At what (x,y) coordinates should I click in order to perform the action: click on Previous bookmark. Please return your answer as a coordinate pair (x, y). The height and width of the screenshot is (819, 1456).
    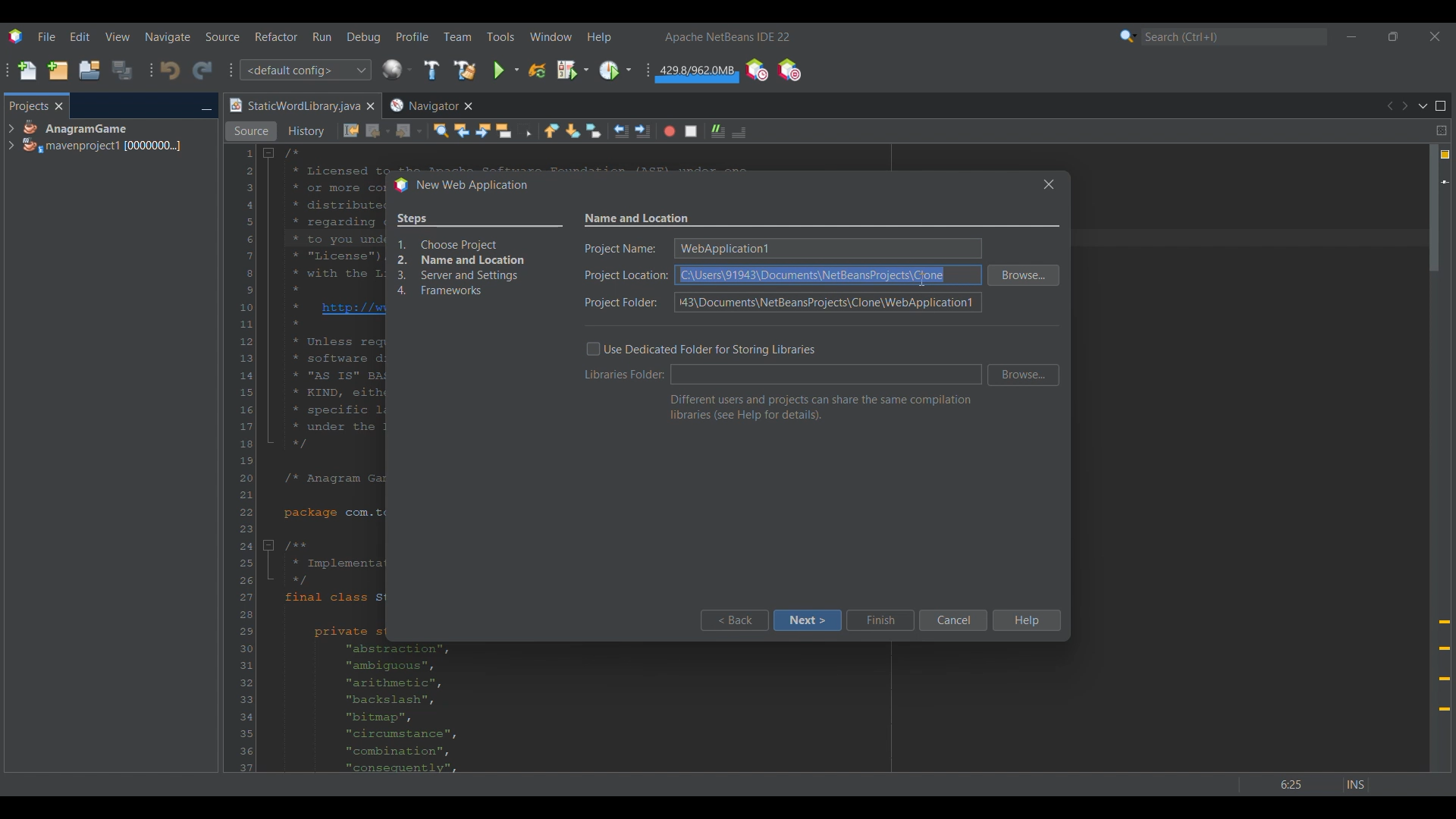
    Looking at the image, I should click on (551, 130).